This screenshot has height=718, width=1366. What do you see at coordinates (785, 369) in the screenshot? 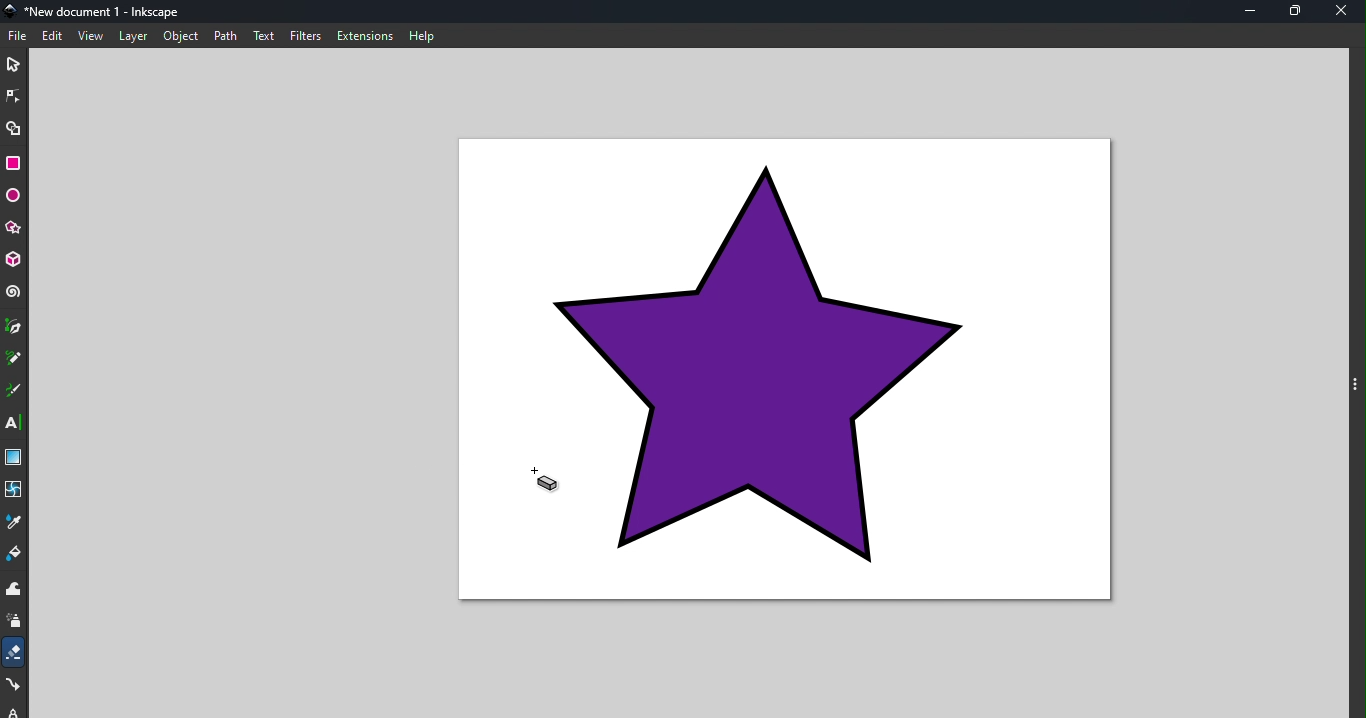
I see `canvas` at bounding box center [785, 369].